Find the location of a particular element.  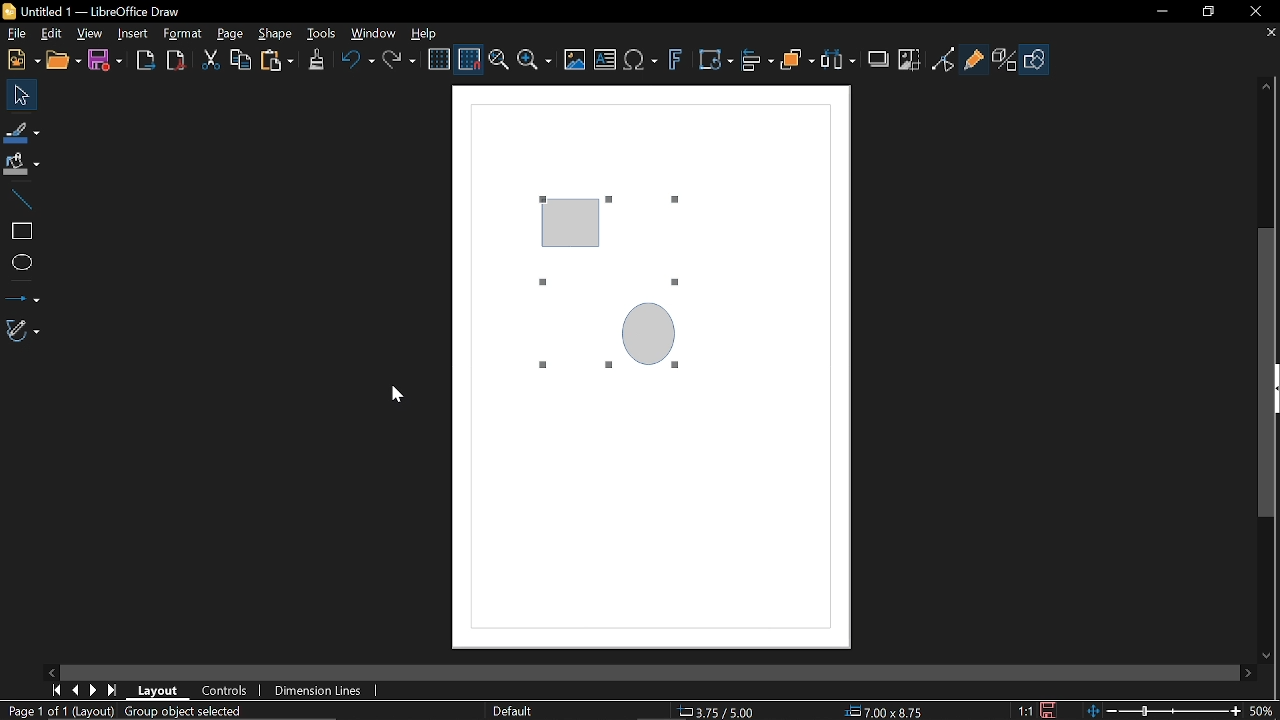

Edit is located at coordinates (50, 34).